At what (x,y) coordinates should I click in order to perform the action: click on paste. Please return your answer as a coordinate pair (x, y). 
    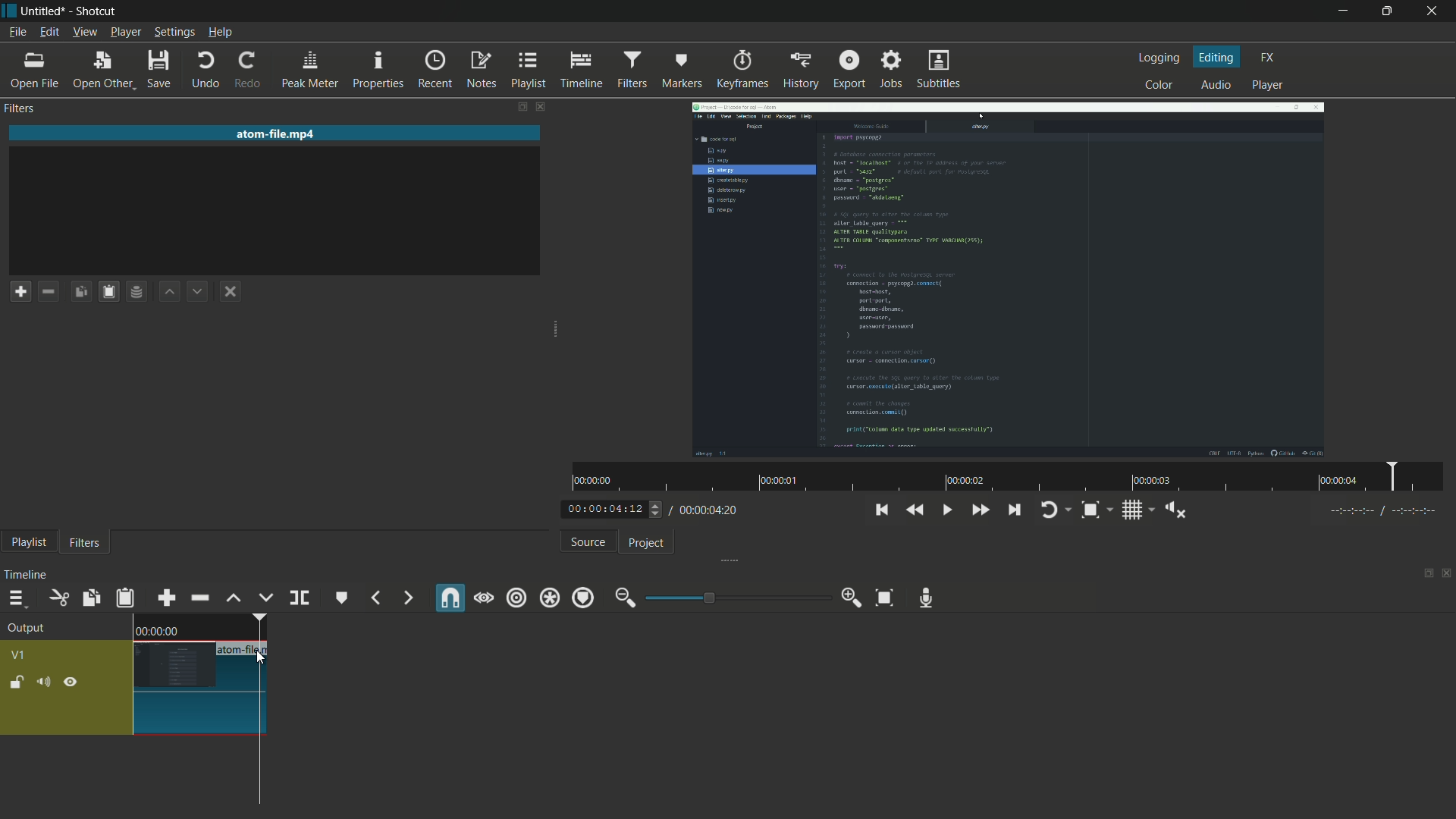
    Looking at the image, I should click on (108, 293).